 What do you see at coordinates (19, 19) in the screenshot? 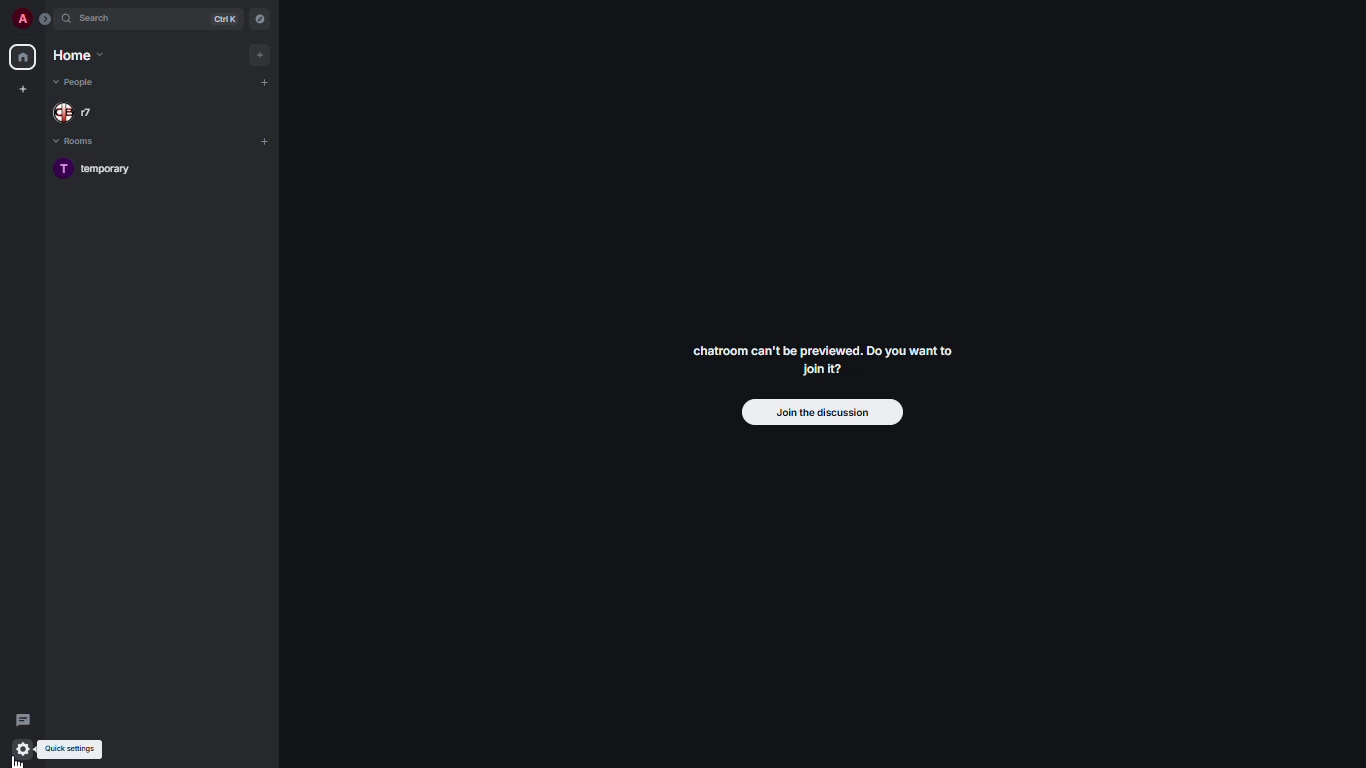
I see `profile` at bounding box center [19, 19].